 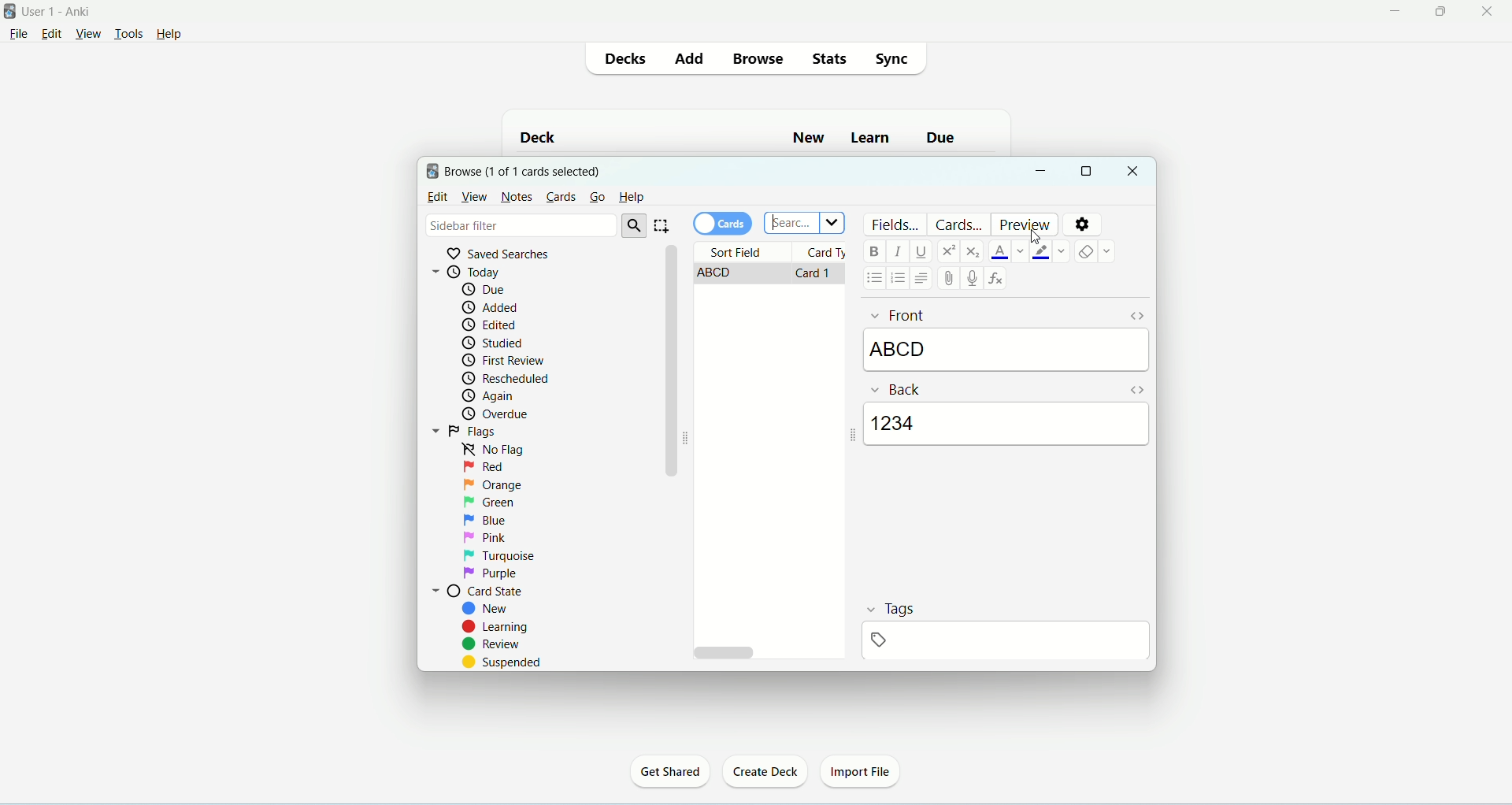 I want to click on attachment, so click(x=953, y=278).